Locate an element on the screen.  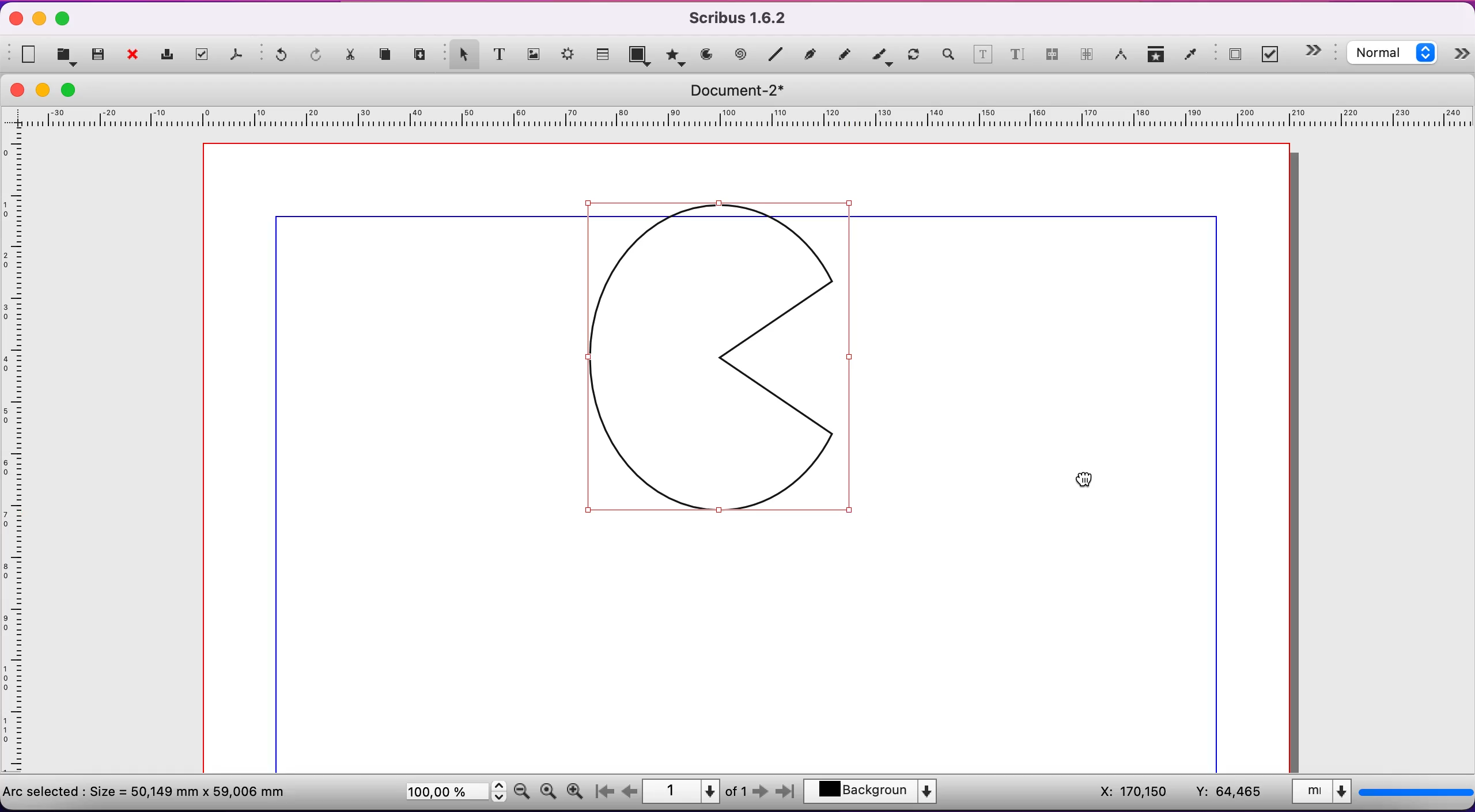
copy item properties is located at coordinates (1157, 56).